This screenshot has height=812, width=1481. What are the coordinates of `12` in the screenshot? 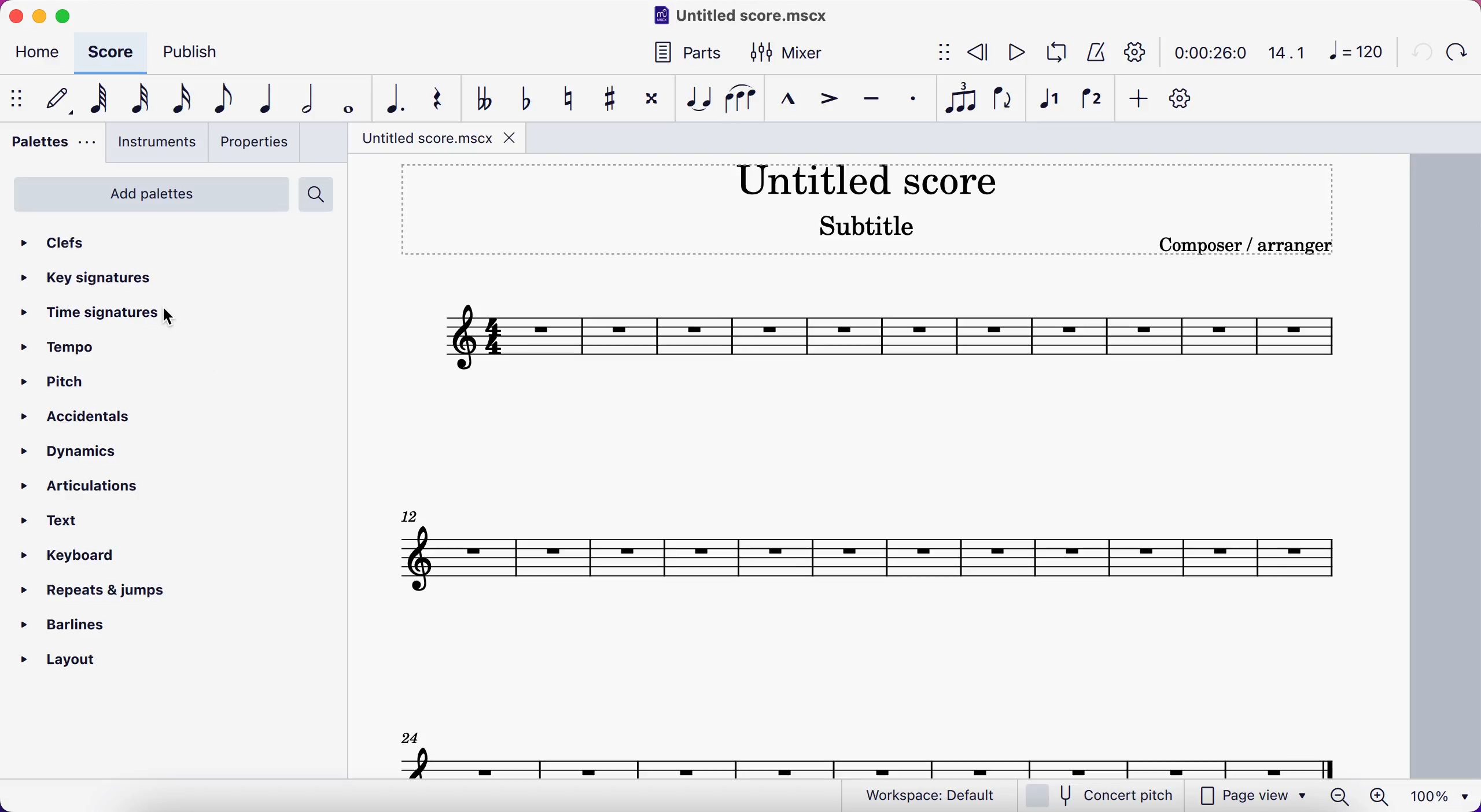 It's located at (872, 560).